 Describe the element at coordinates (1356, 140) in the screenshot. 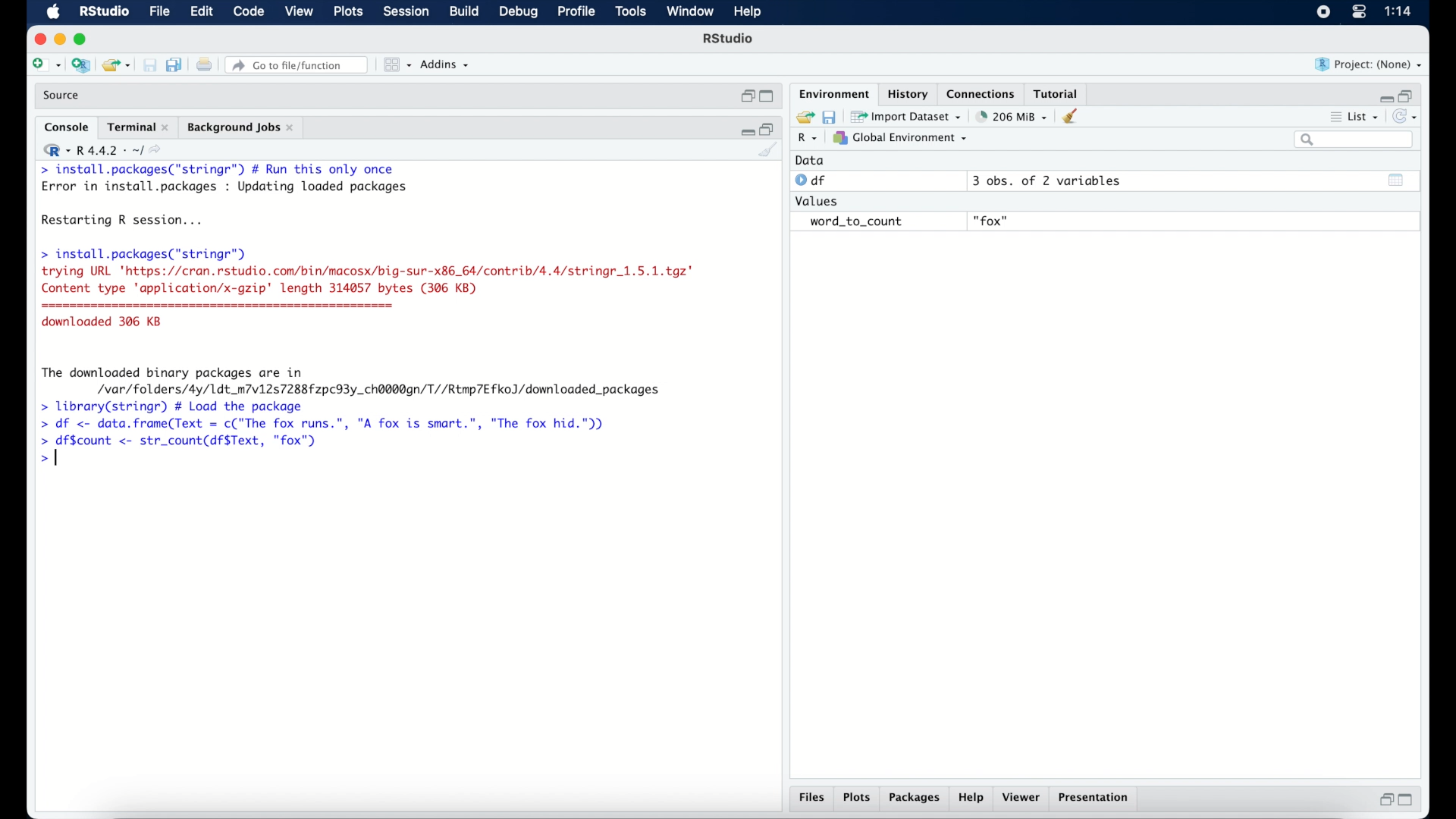

I see `search bar` at that location.